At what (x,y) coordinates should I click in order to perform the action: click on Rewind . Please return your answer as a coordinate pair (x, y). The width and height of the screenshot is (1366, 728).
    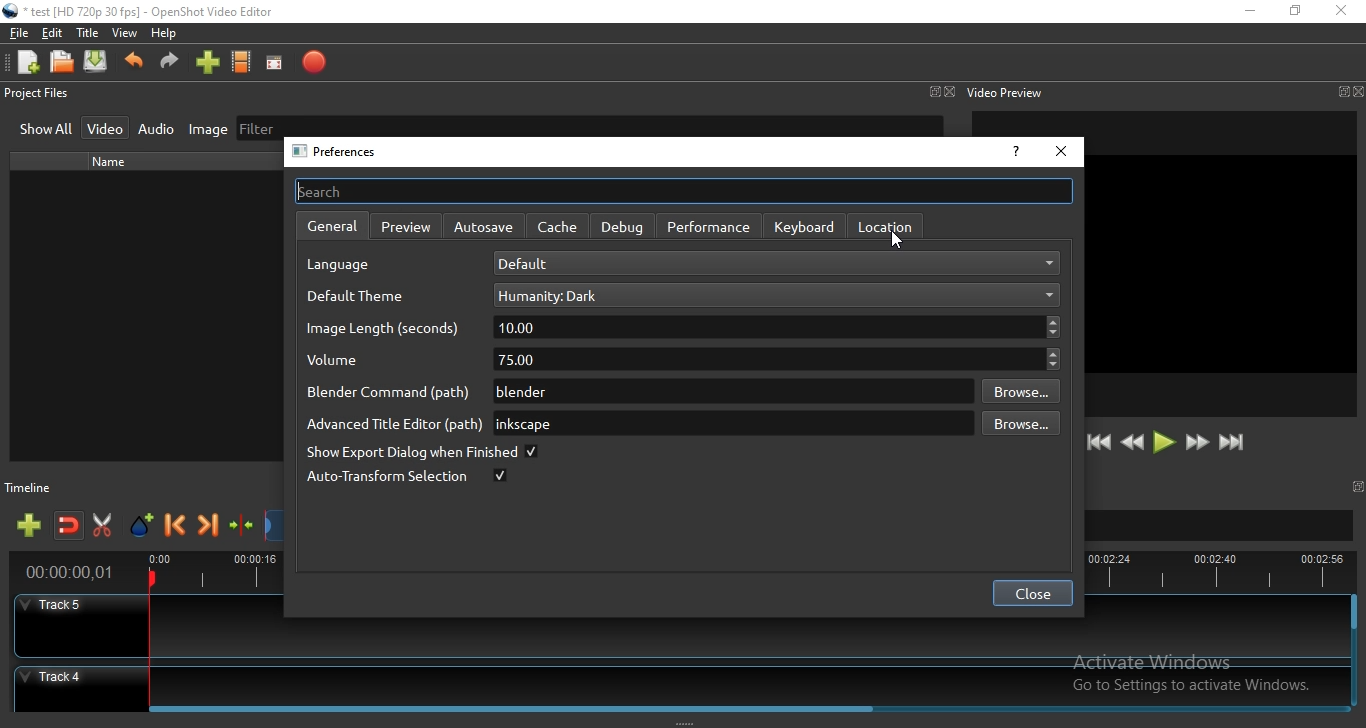
    Looking at the image, I should click on (1132, 443).